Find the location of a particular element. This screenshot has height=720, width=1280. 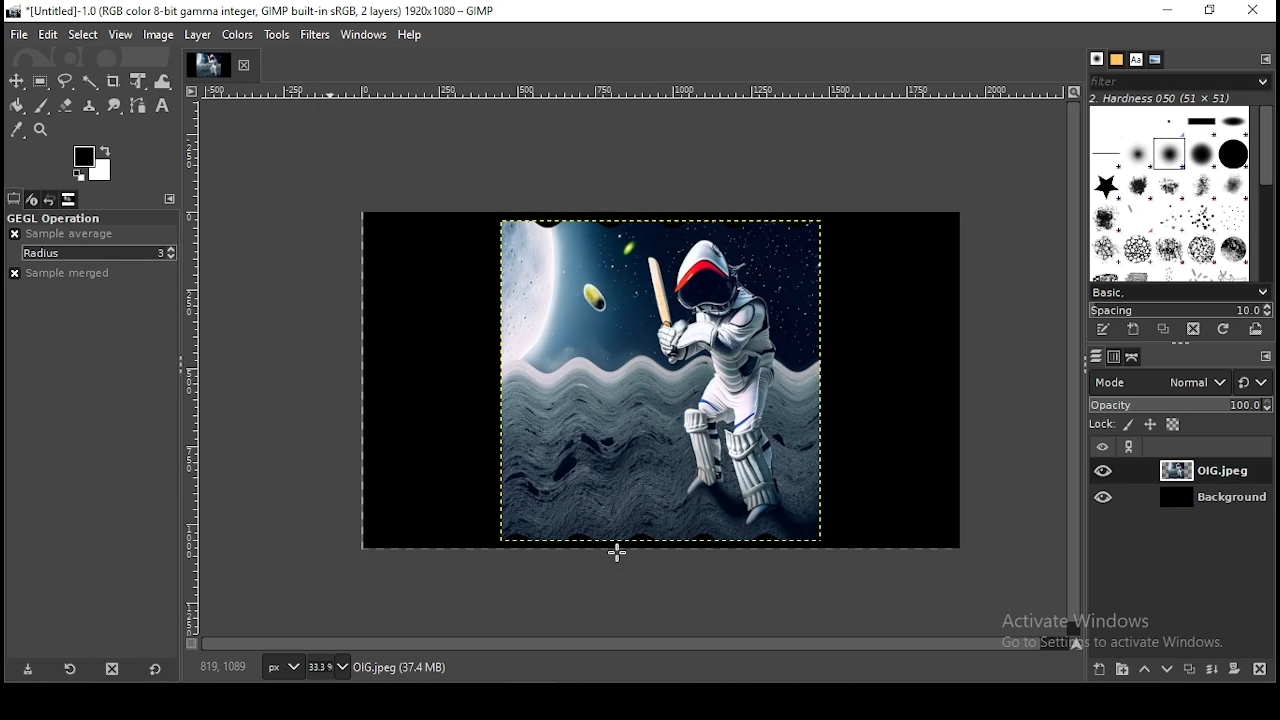

merge this layer is located at coordinates (1213, 670).